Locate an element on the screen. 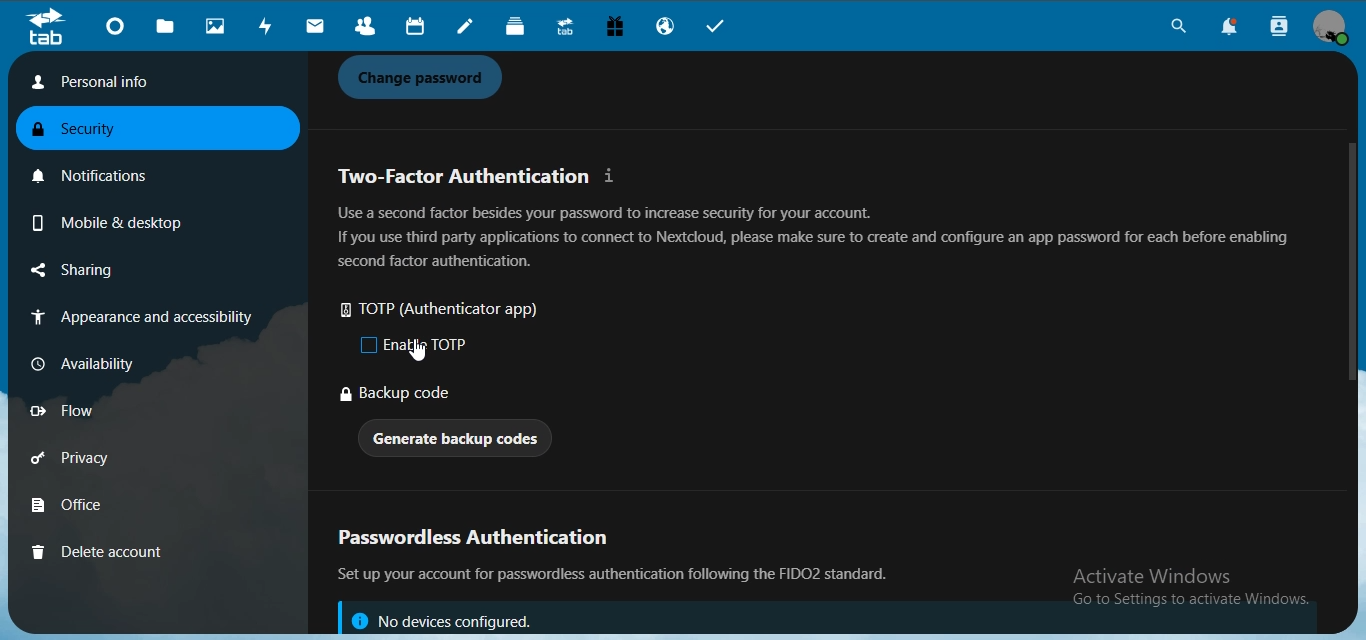 Image resolution: width=1366 pixels, height=640 pixels. availability is located at coordinates (94, 362).